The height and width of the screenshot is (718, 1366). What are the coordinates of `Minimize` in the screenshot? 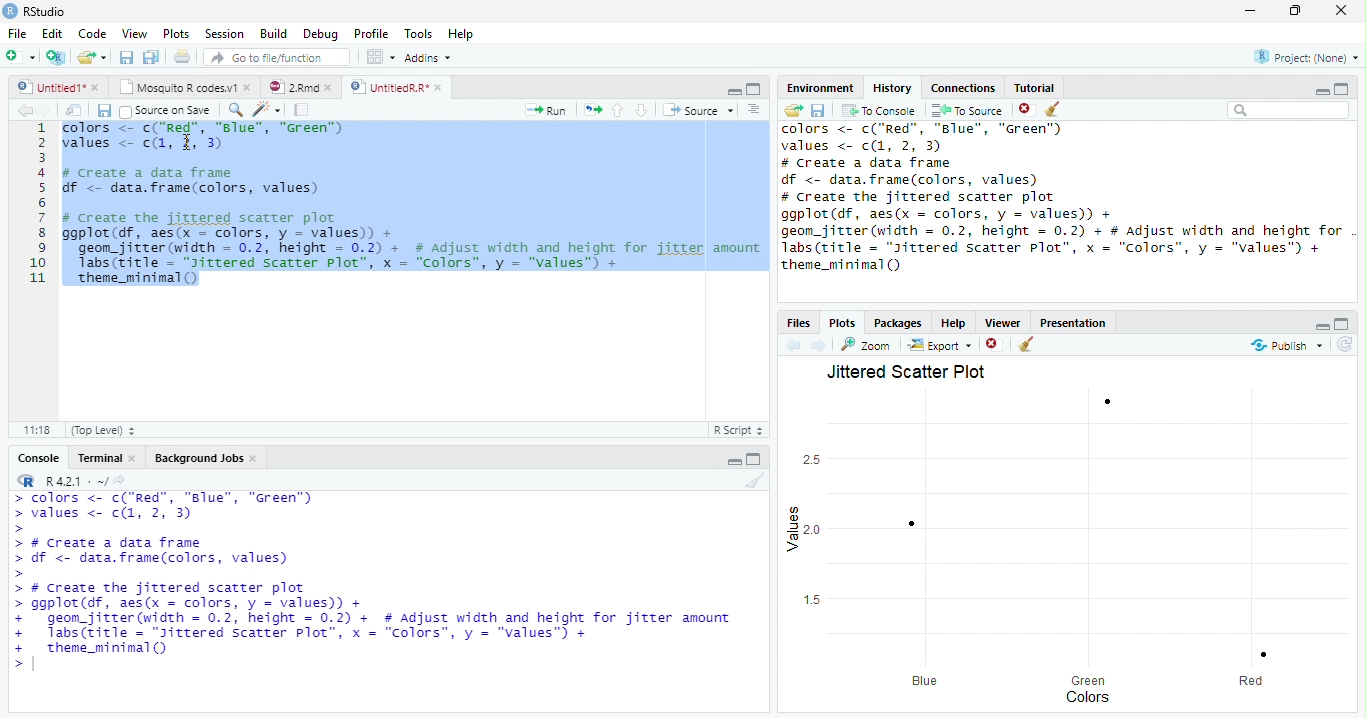 It's located at (733, 91).